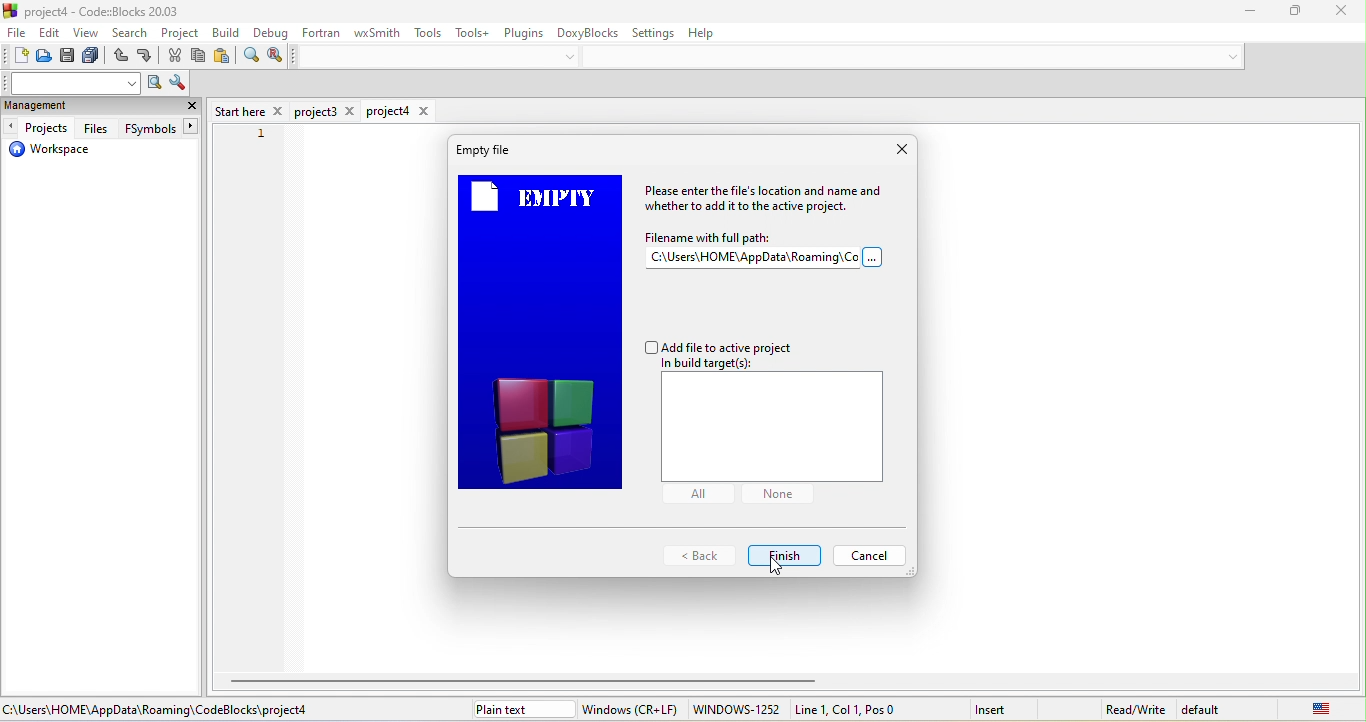 The width and height of the screenshot is (1366, 722). What do you see at coordinates (471, 32) in the screenshot?
I see `tools+` at bounding box center [471, 32].